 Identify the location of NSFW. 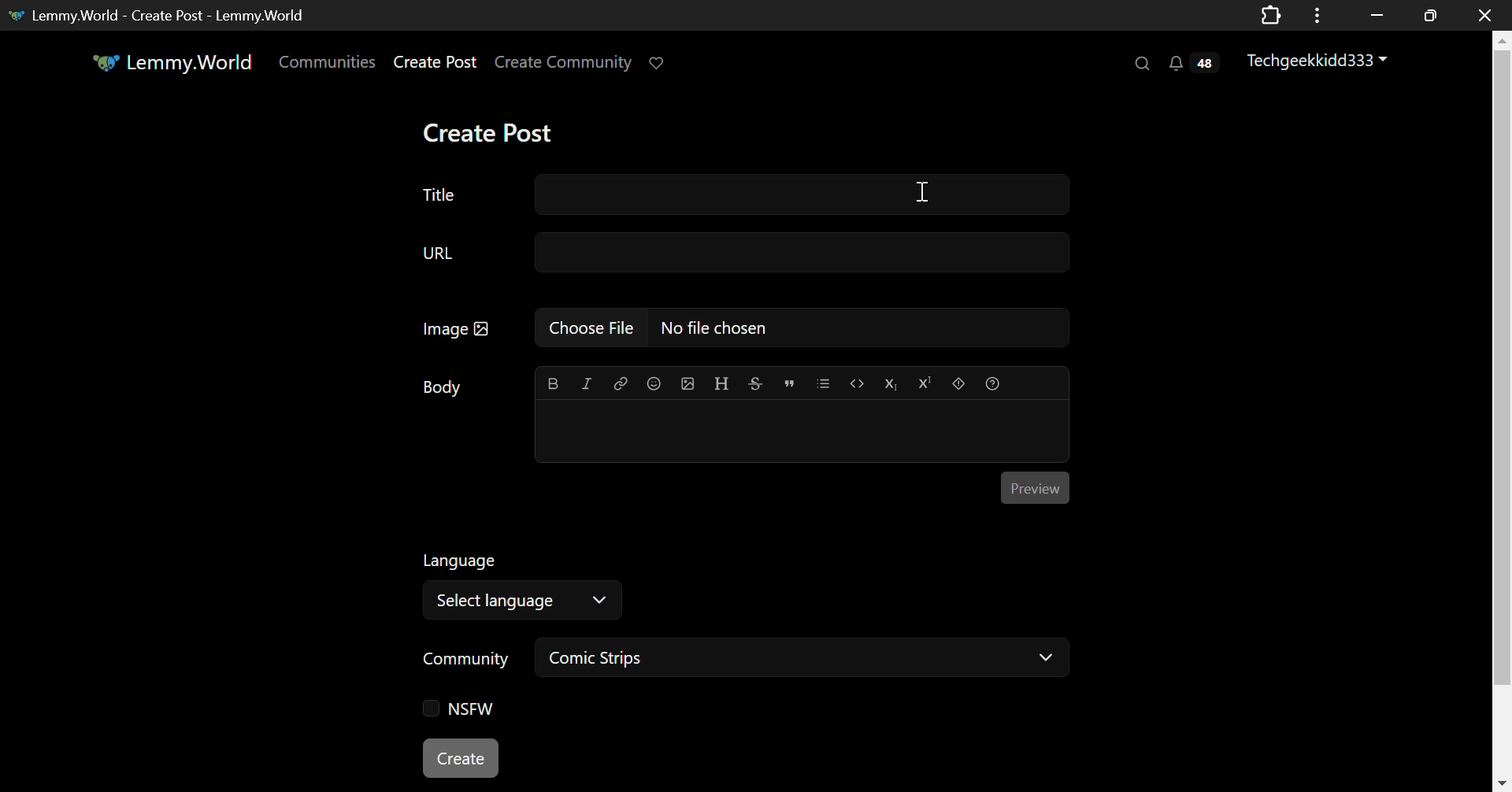
(461, 710).